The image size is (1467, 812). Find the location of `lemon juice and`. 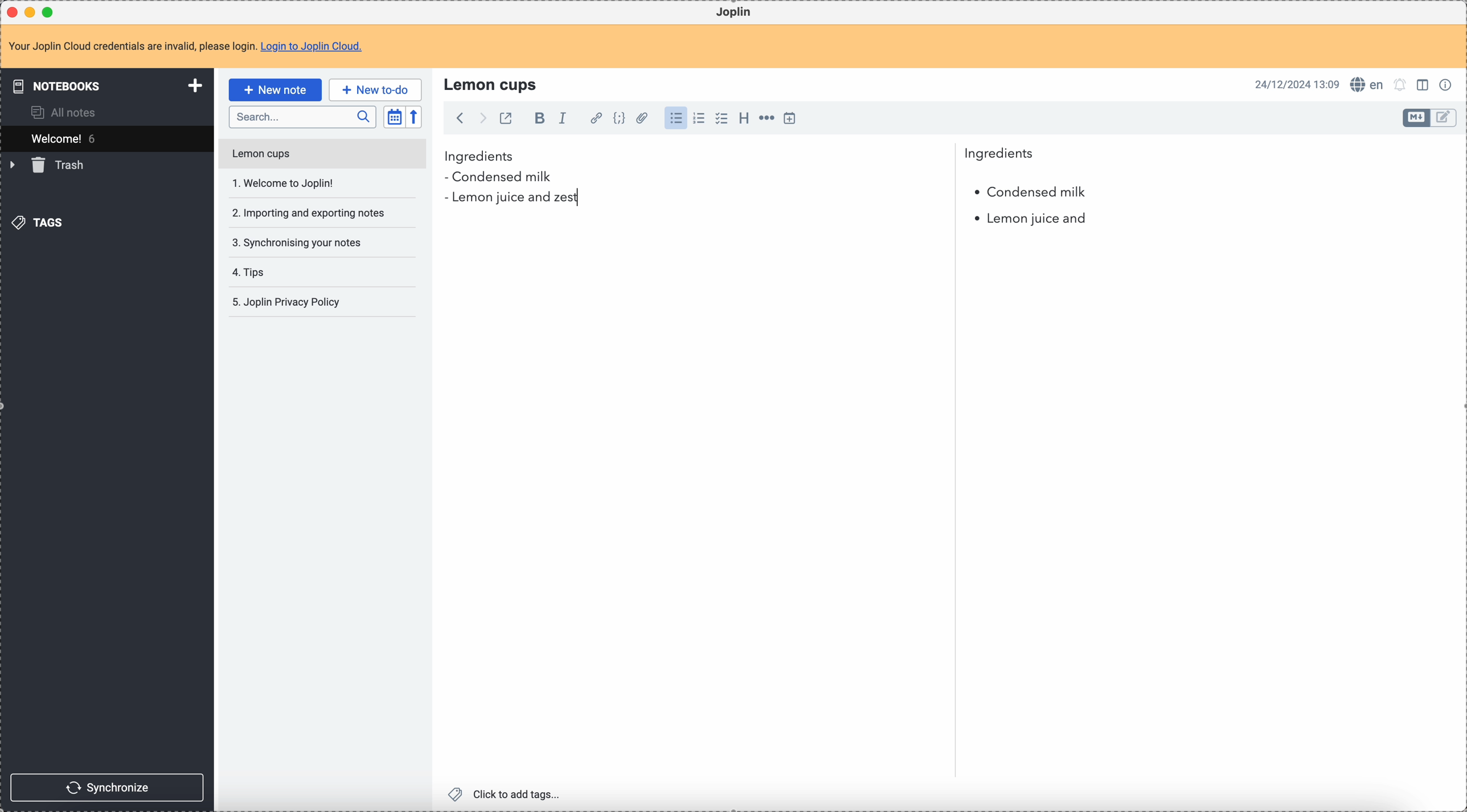

lemon juice and is located at coordinates (1031, 221).